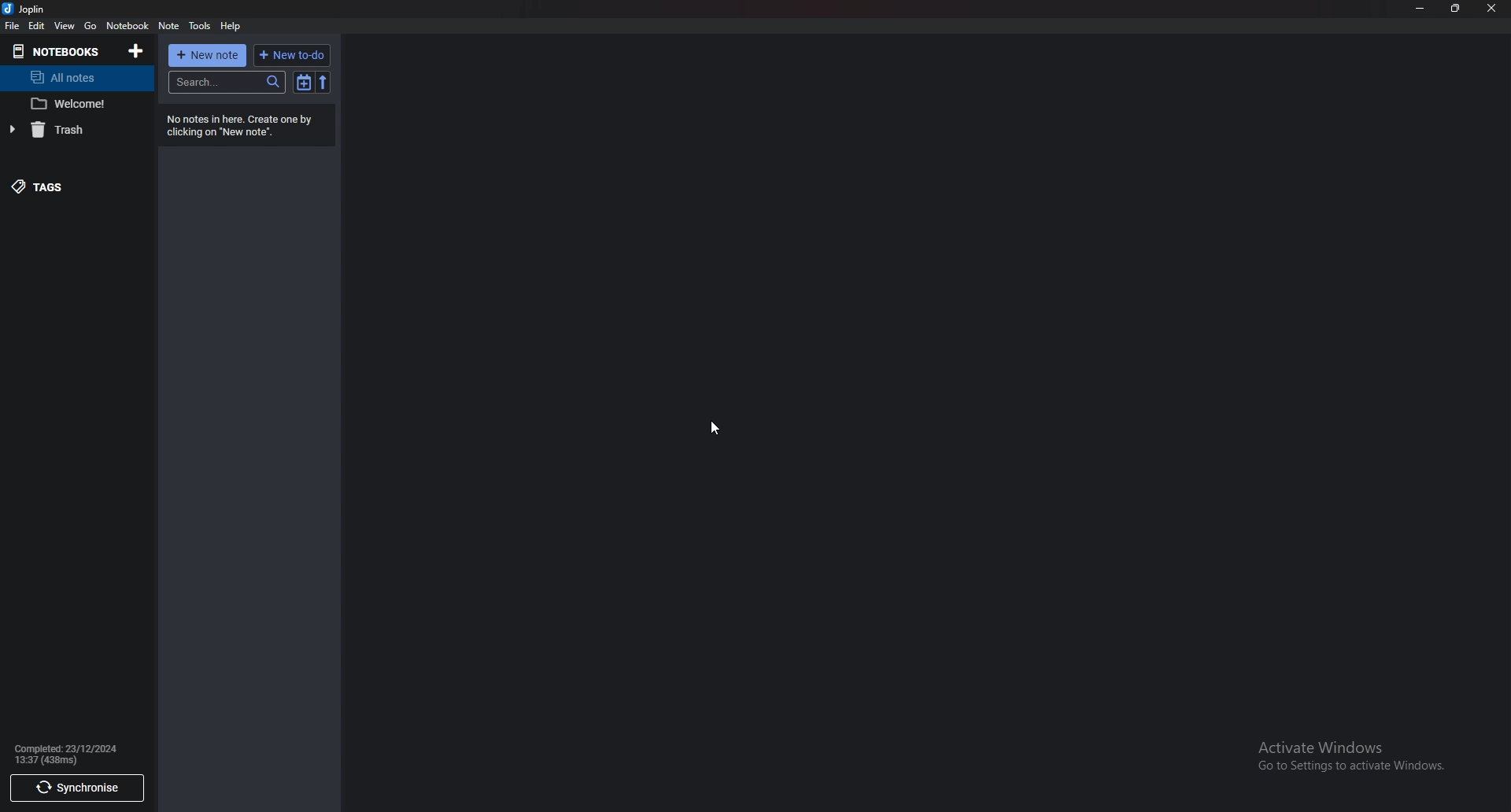  What do you see at coordinates (38, 27) in the screenshot?
I see `Edit` at bounding box center [38, 27].